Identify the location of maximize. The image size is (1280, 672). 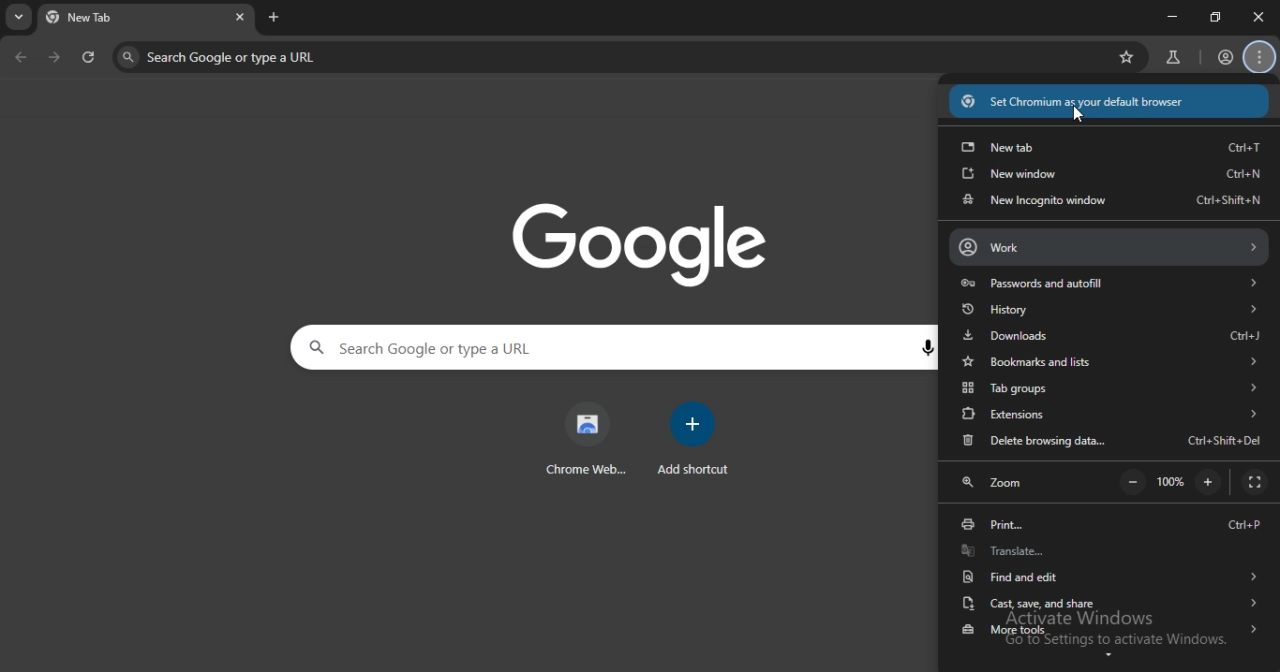
(1214, 16).